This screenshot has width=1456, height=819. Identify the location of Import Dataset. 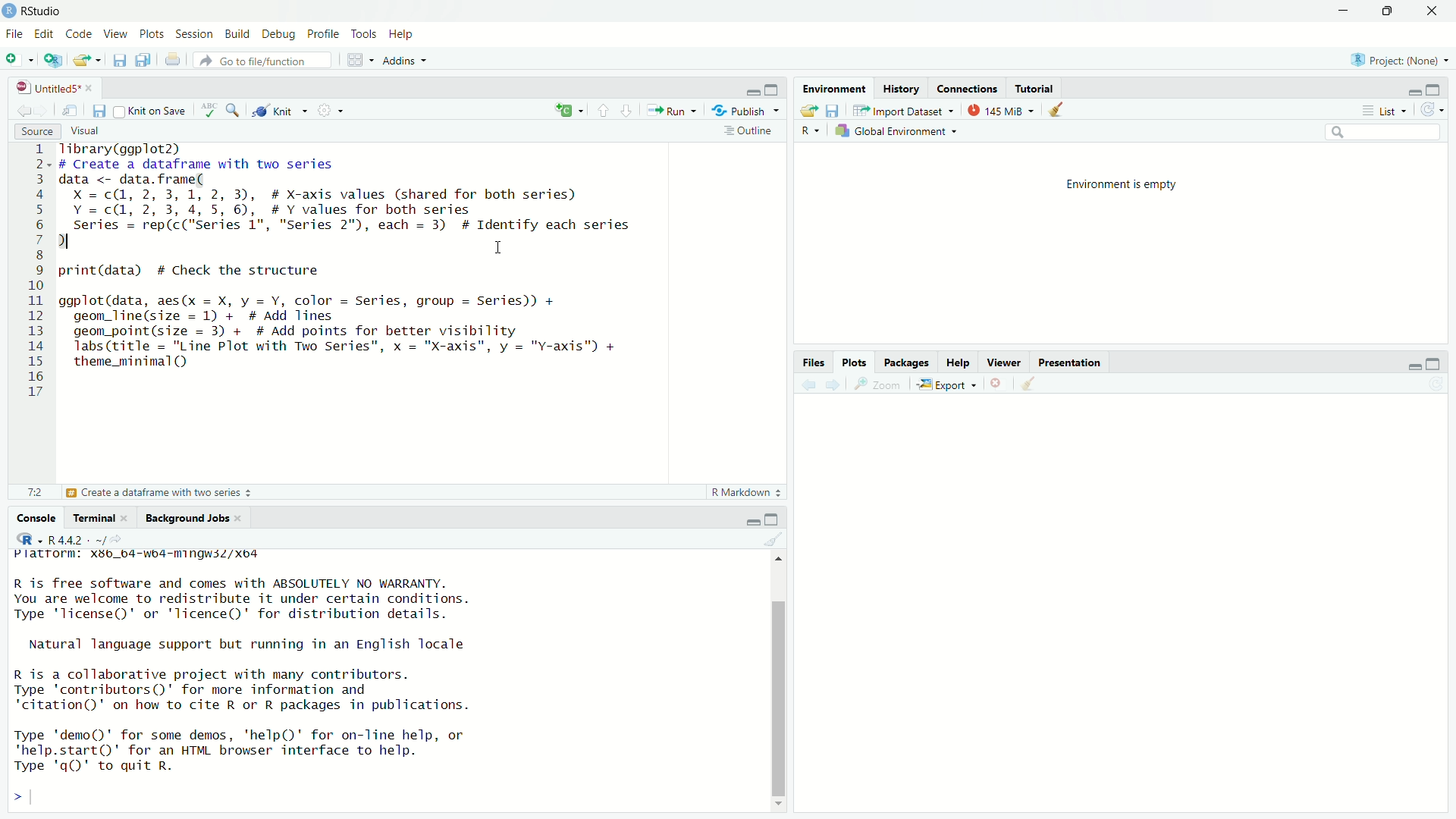
(905, 111).